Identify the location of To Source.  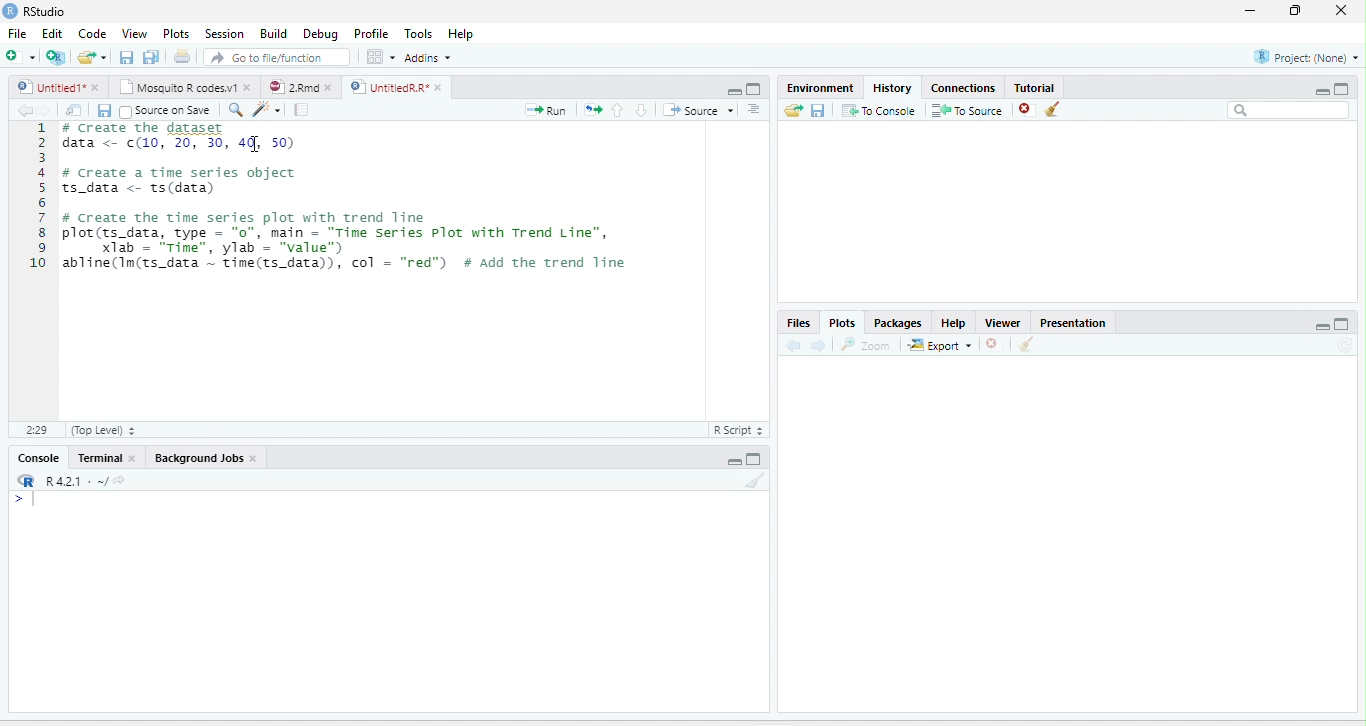
(966, 110).